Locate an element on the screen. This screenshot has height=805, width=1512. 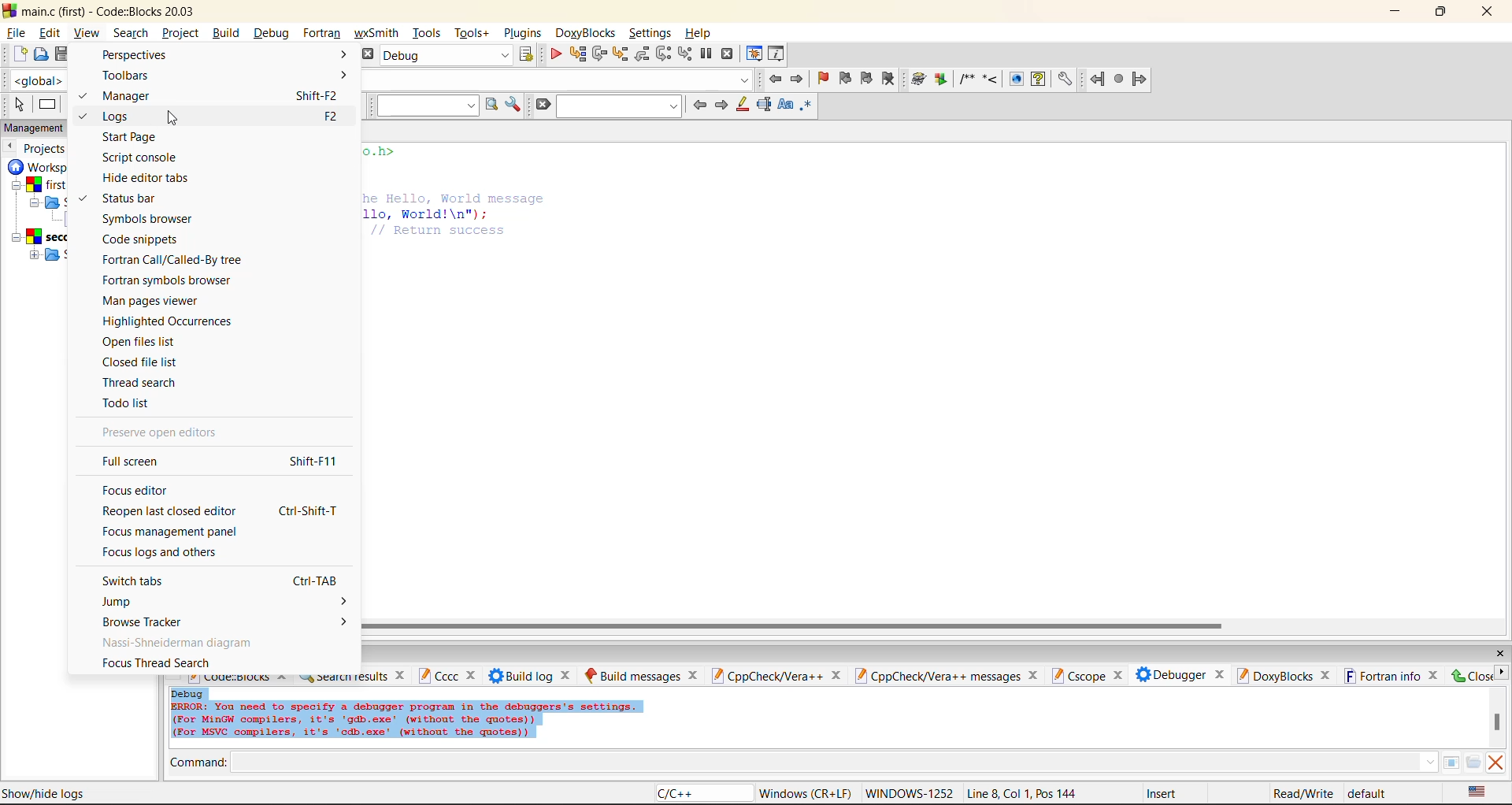
code is located at coordinates (457, 195).